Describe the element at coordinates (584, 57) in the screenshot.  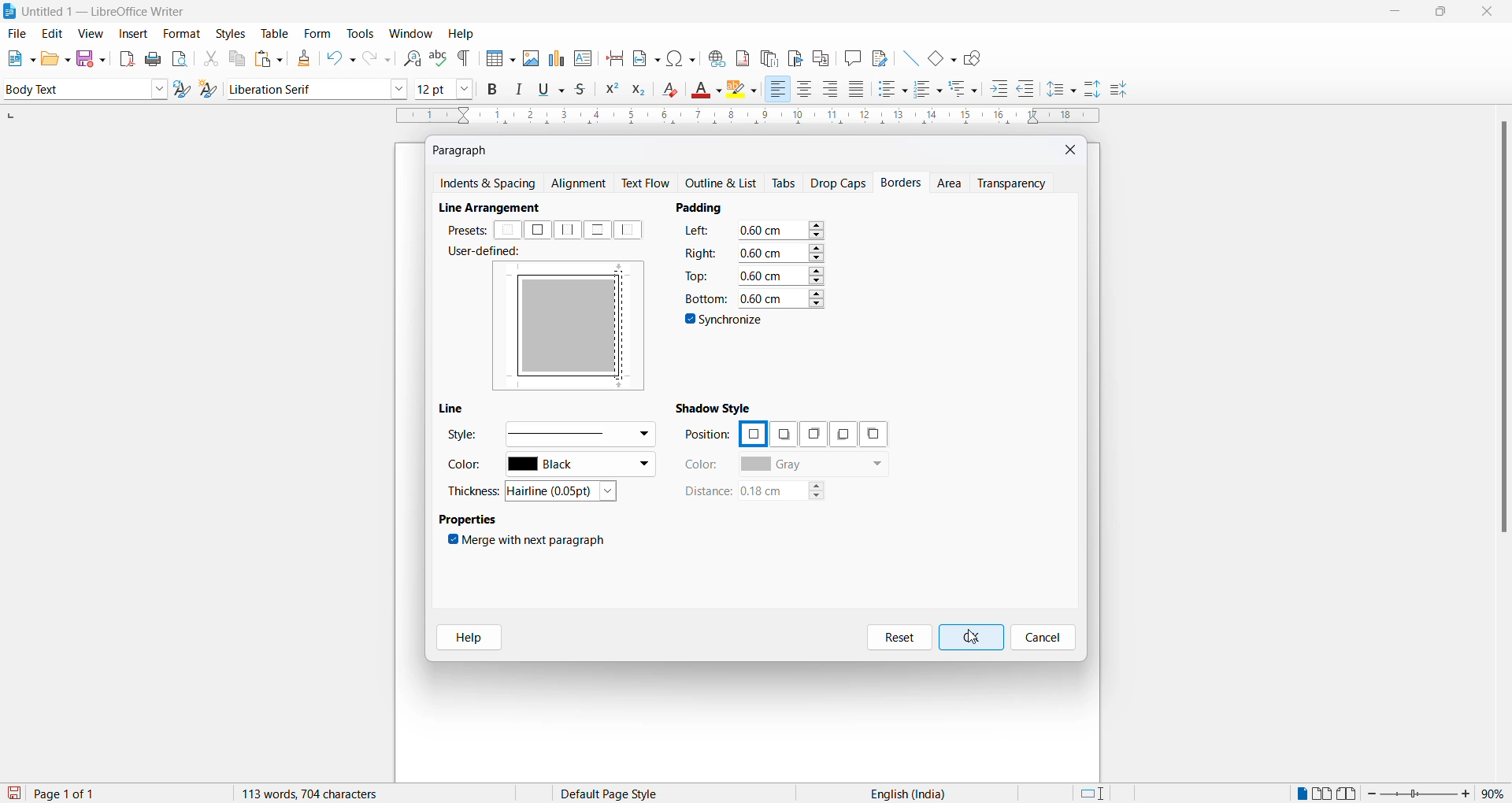
I see `insert text` at that location.